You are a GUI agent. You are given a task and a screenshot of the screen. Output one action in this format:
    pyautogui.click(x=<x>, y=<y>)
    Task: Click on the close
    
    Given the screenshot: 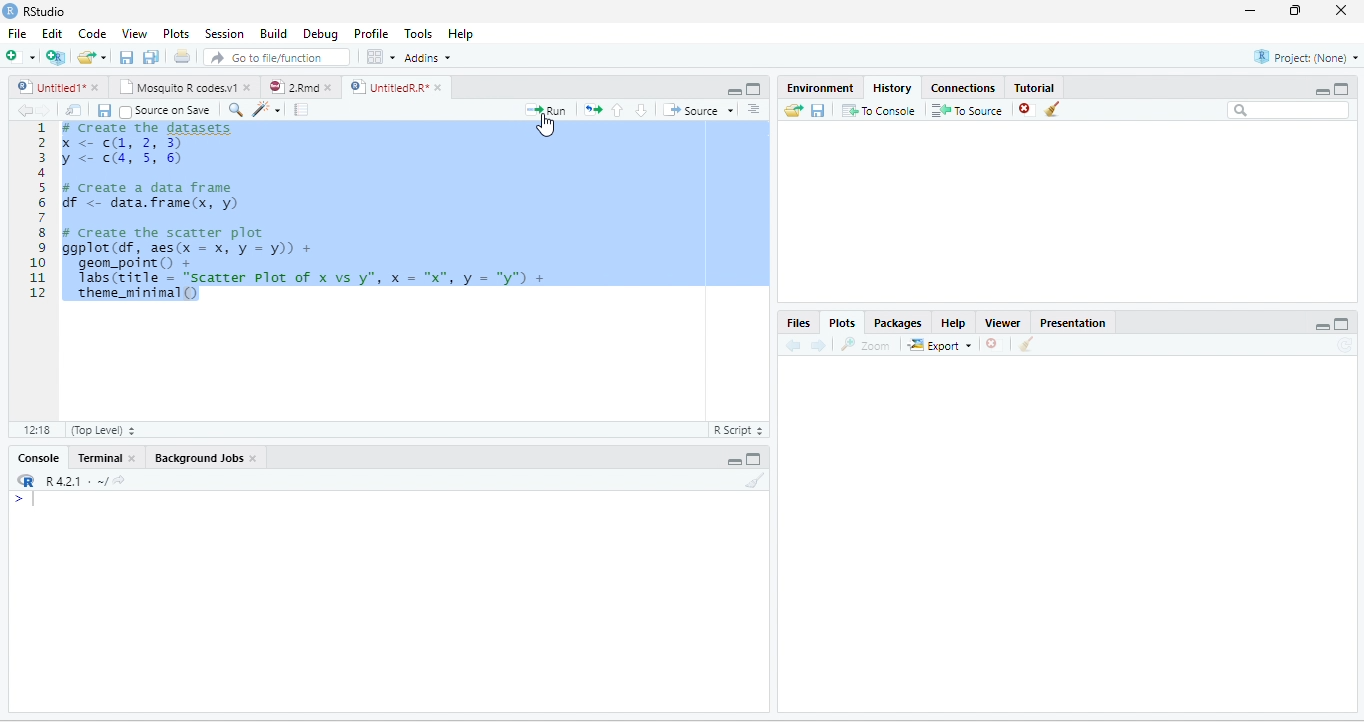 What is the action you would take?
    pyautogui.click(x=95, y=87)
    